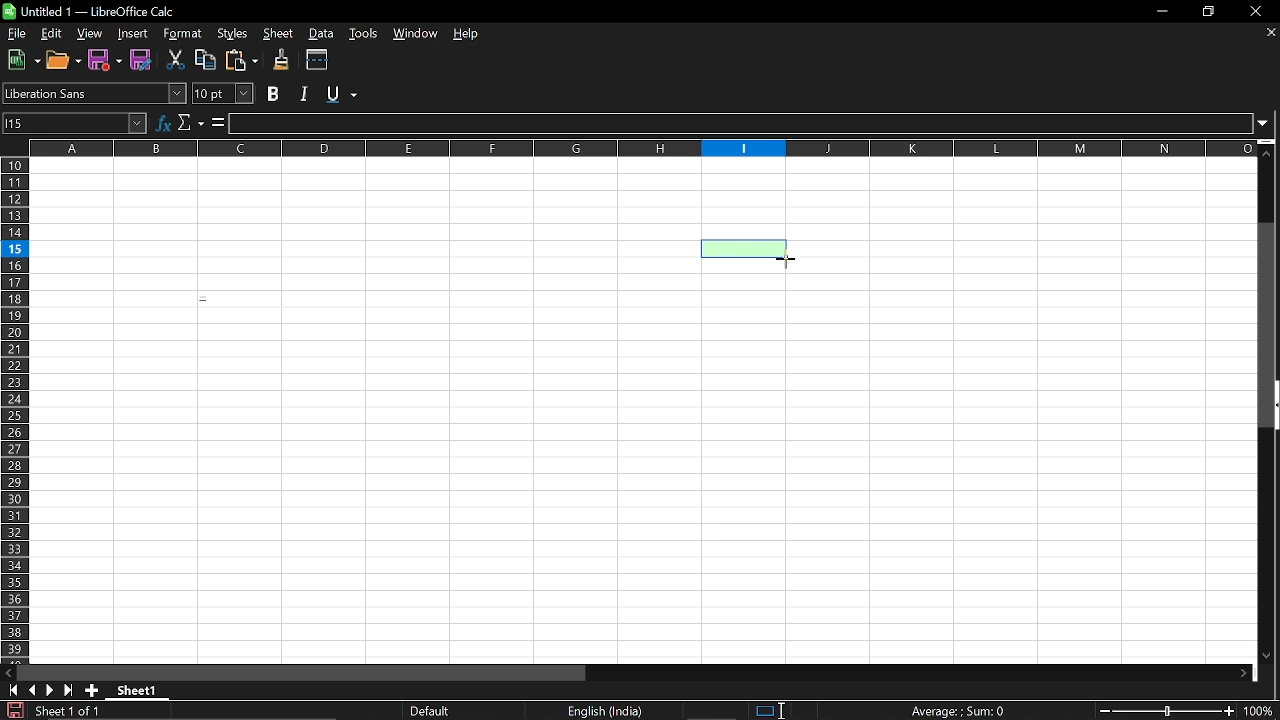 The height and width of the screenshot is (720, 1280). What do you see at coordinates (306, 672) in the screenshot?
I see `Horizontal scrollbar` at bounding box center [306, 672].